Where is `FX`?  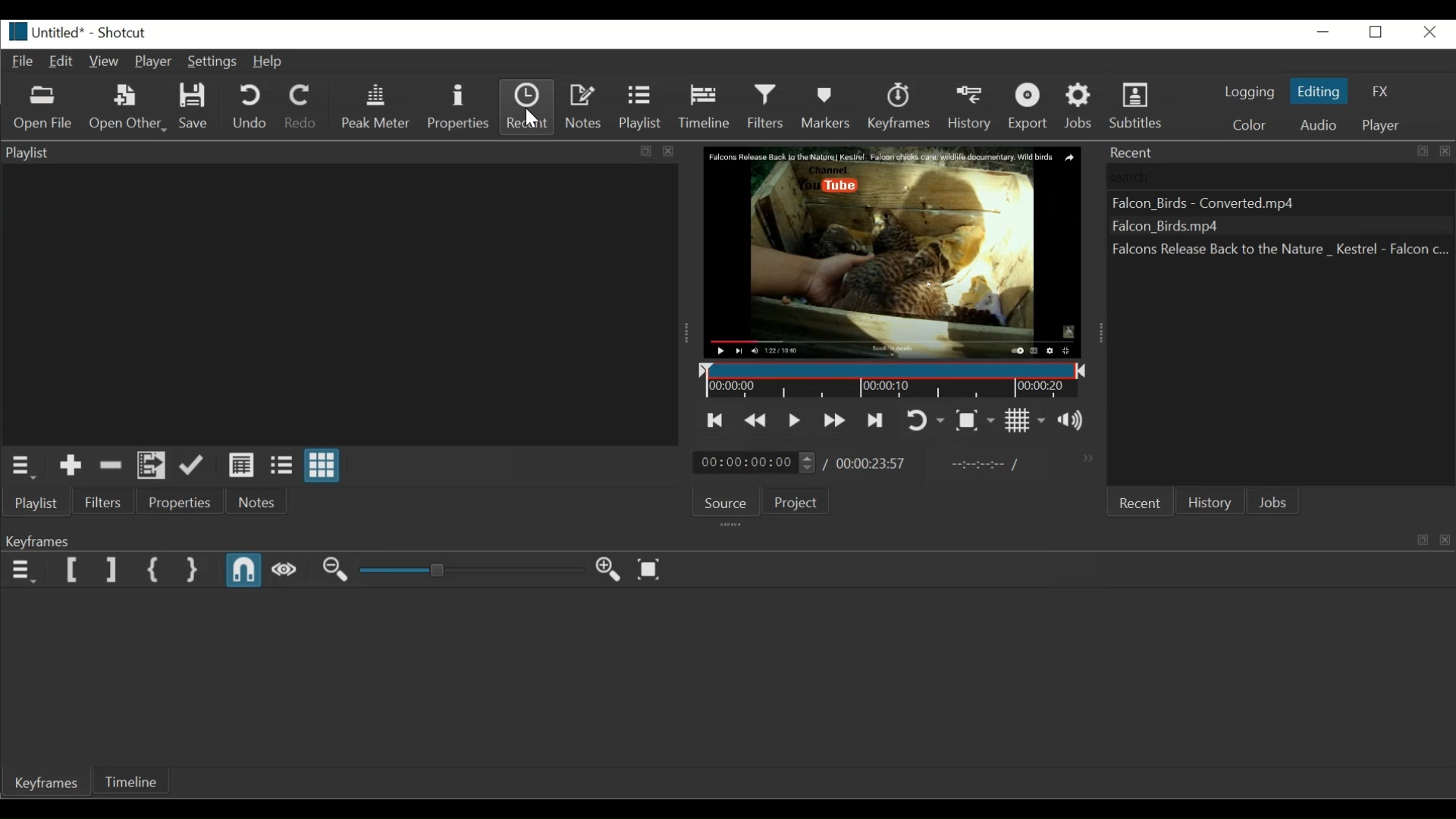 FX is located at coordinates (1377, 92).